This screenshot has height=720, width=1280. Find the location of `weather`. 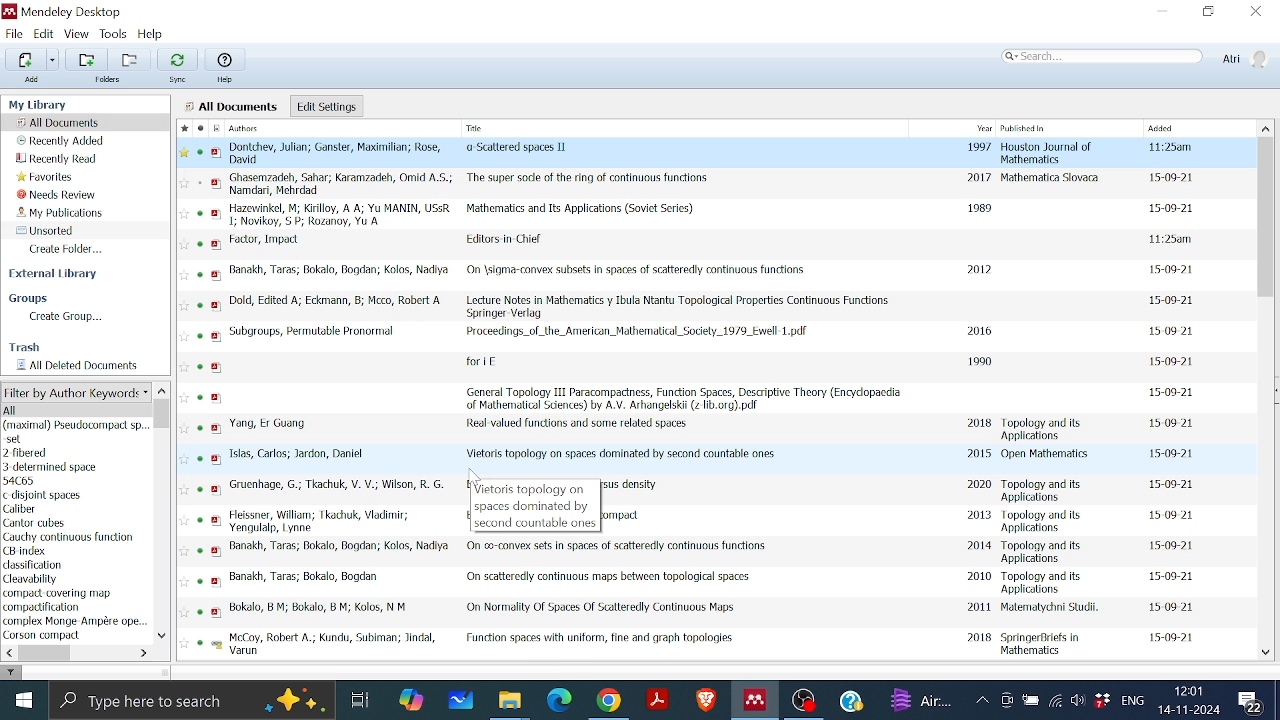

weather is located at coordinates (925, 701).